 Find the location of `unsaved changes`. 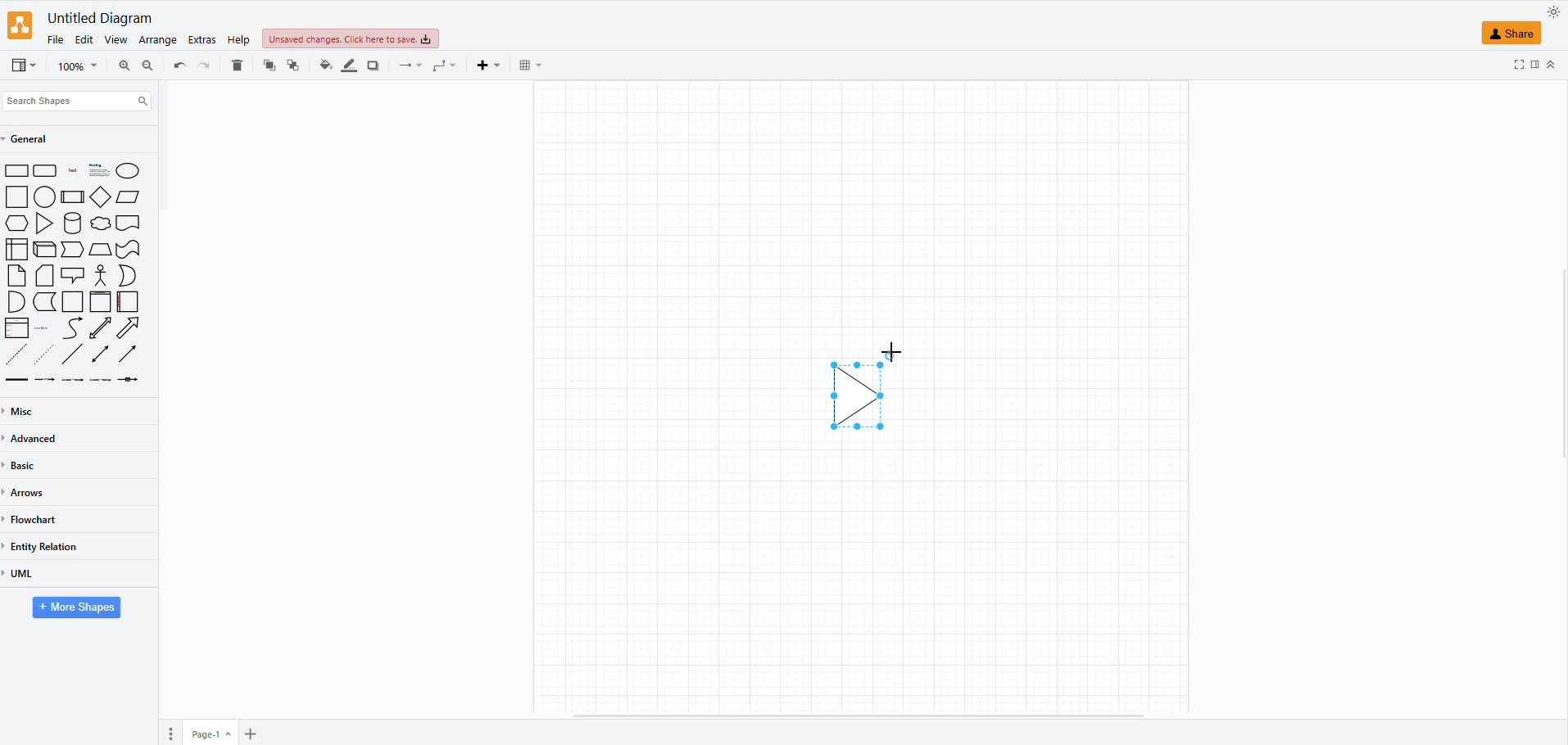

unsaved changes is located at coordinates (347, 40).